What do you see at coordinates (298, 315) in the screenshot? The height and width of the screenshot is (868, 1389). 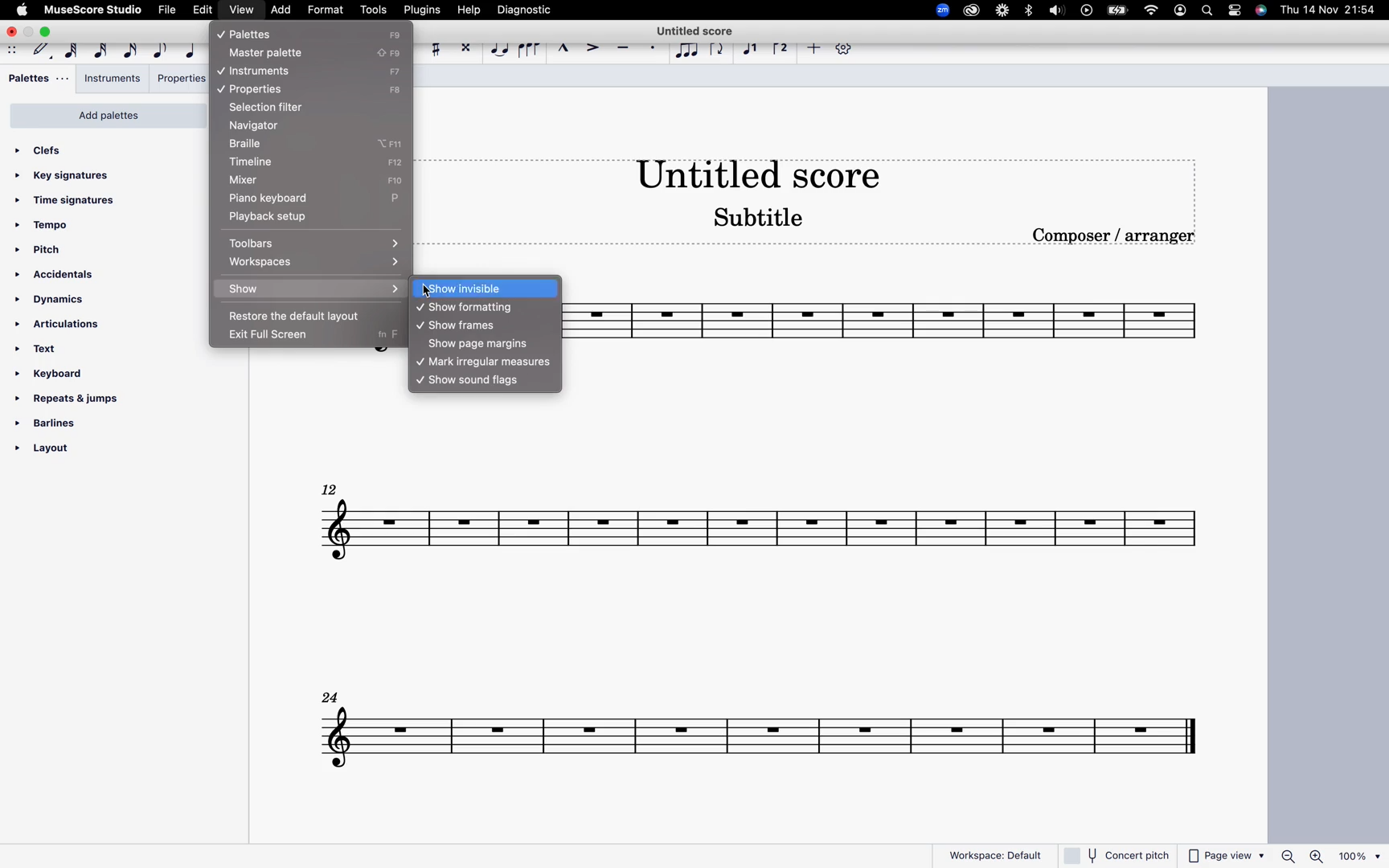 I see `restore the default layout` at bounding box center [298, 315].